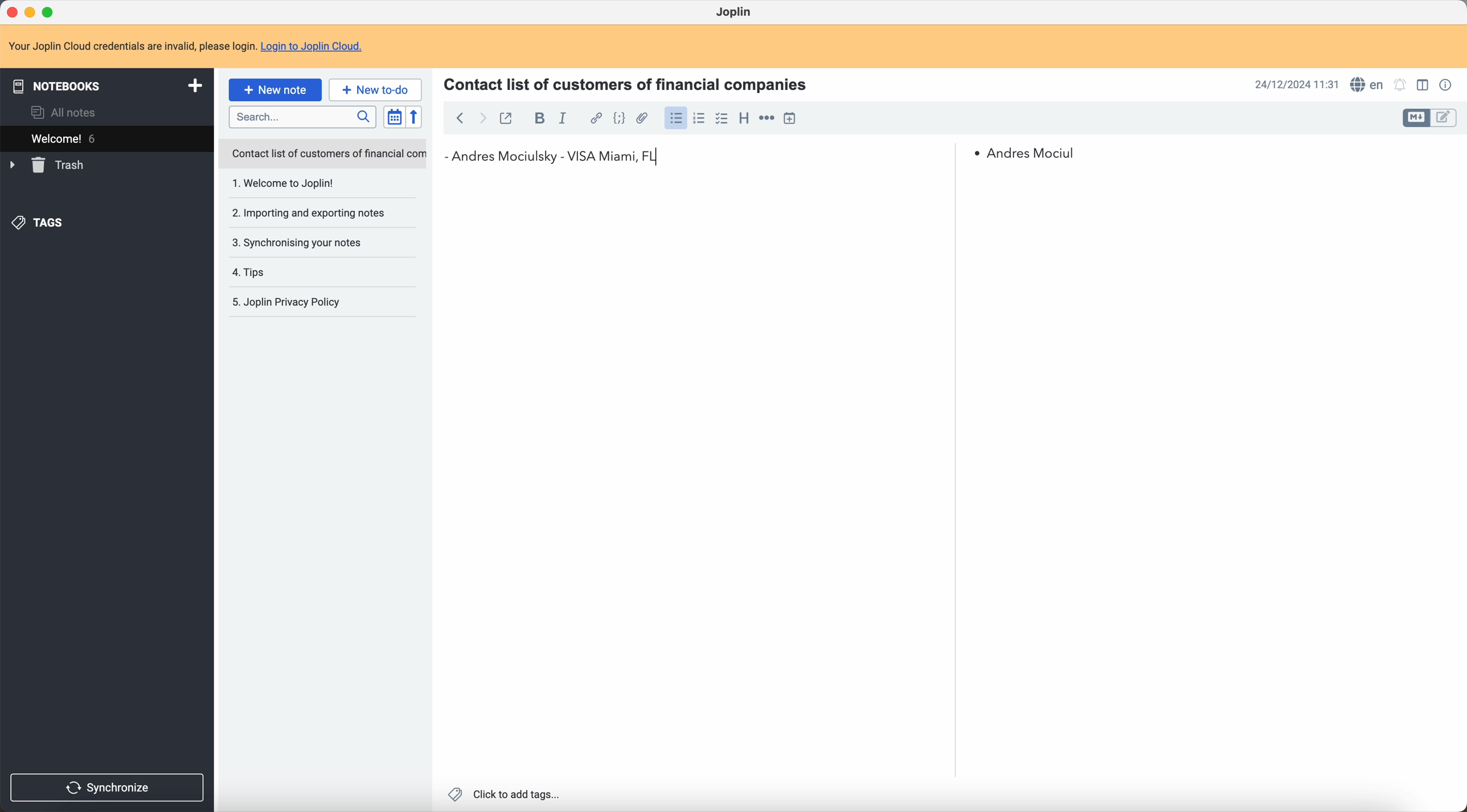  I want to click on toggle edit layout, so click(1417, 118).